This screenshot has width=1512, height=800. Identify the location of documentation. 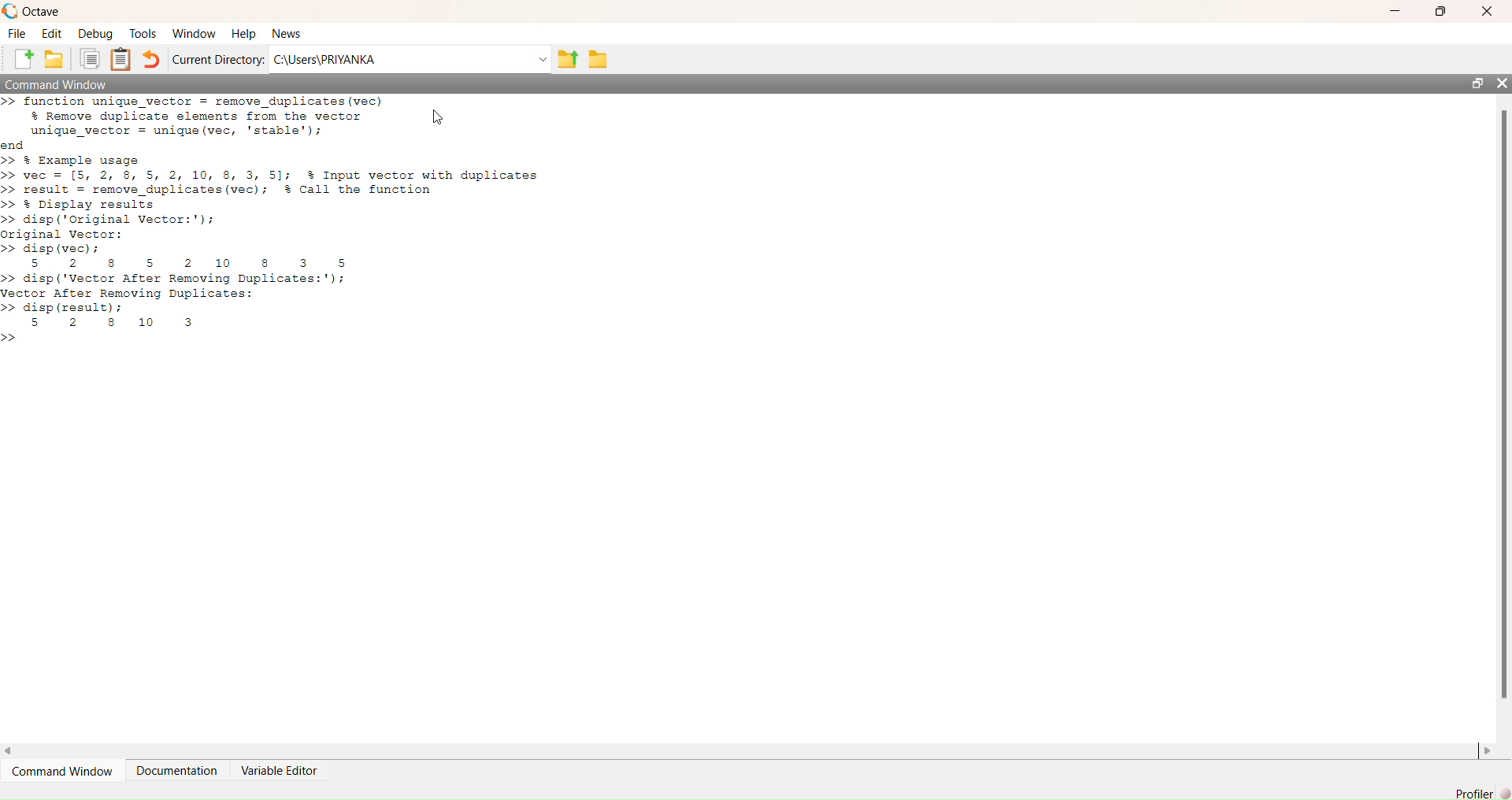
(179, 770).